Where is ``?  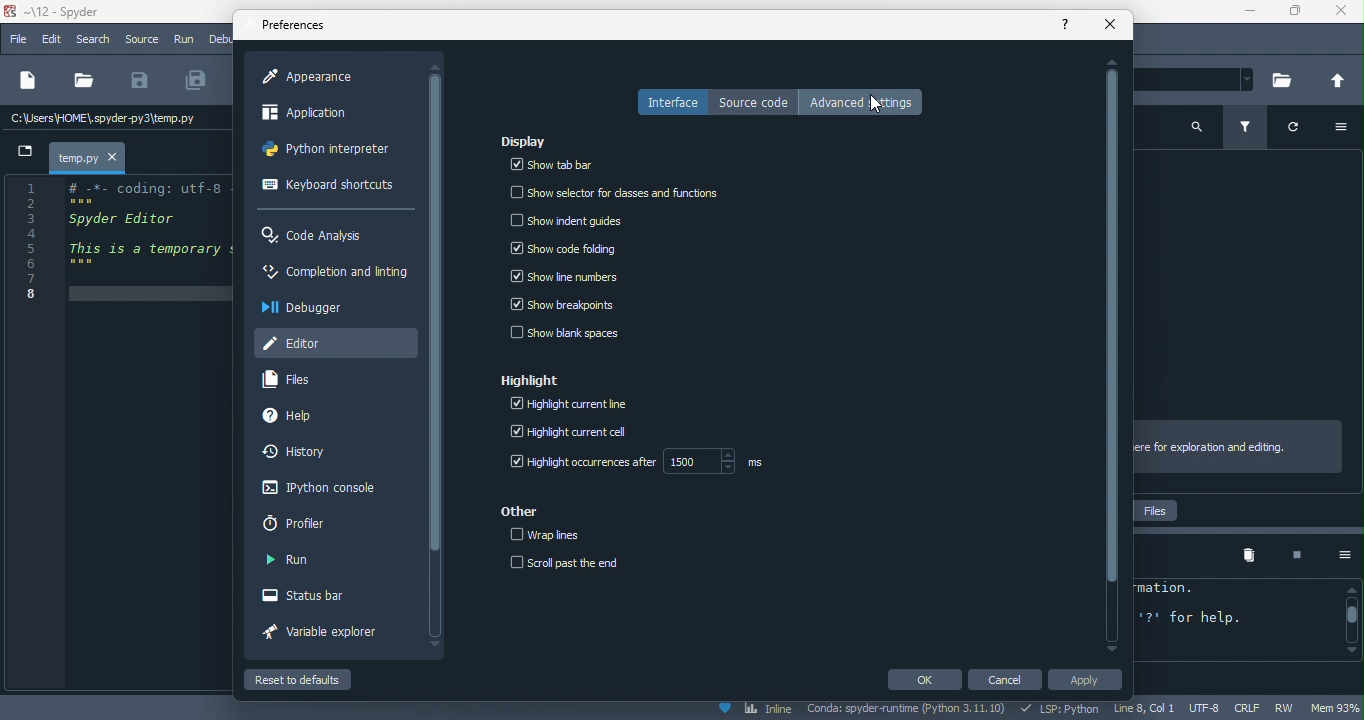
 is located at coordinates (1291, 80).